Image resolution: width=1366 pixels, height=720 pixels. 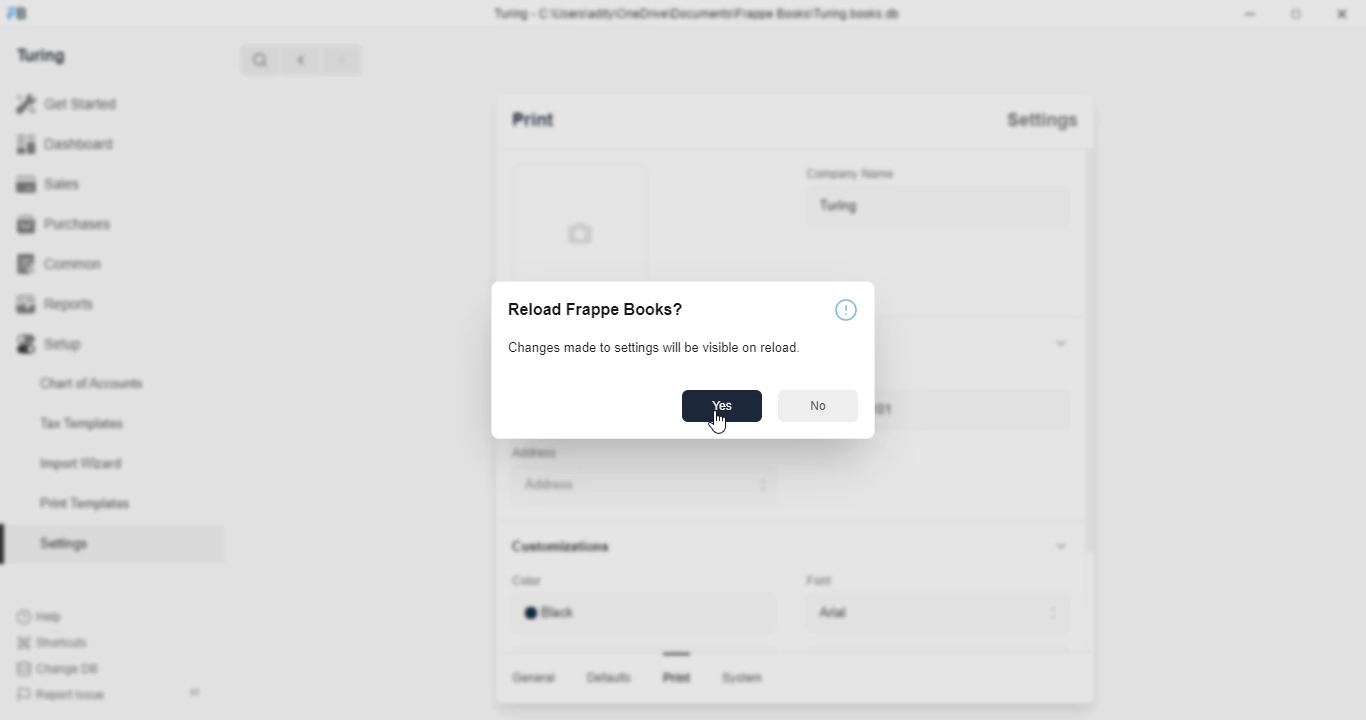 I want to click on Black, so click(x=638, y=612).